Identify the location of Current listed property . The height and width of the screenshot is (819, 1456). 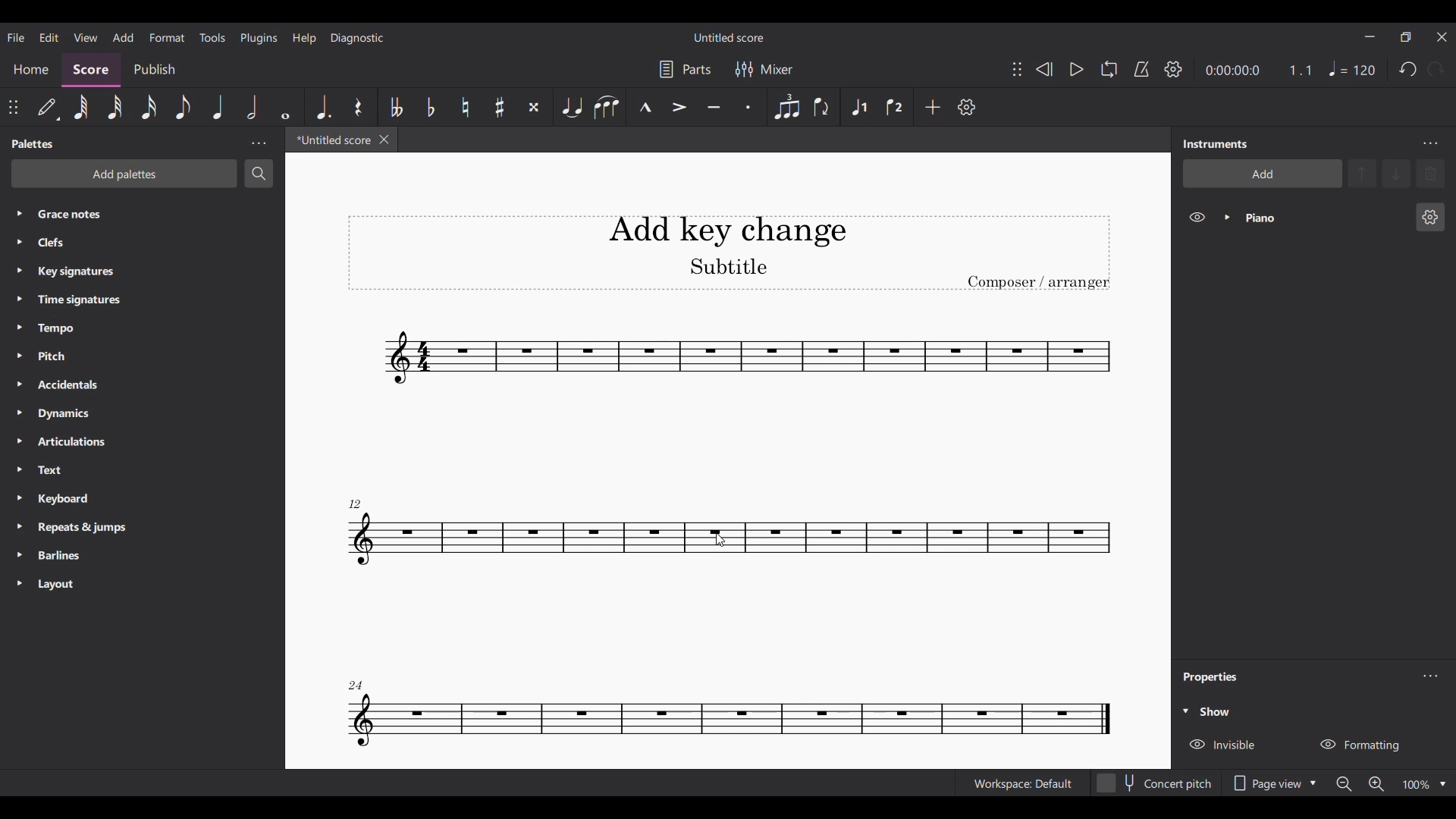
(1217, 712).